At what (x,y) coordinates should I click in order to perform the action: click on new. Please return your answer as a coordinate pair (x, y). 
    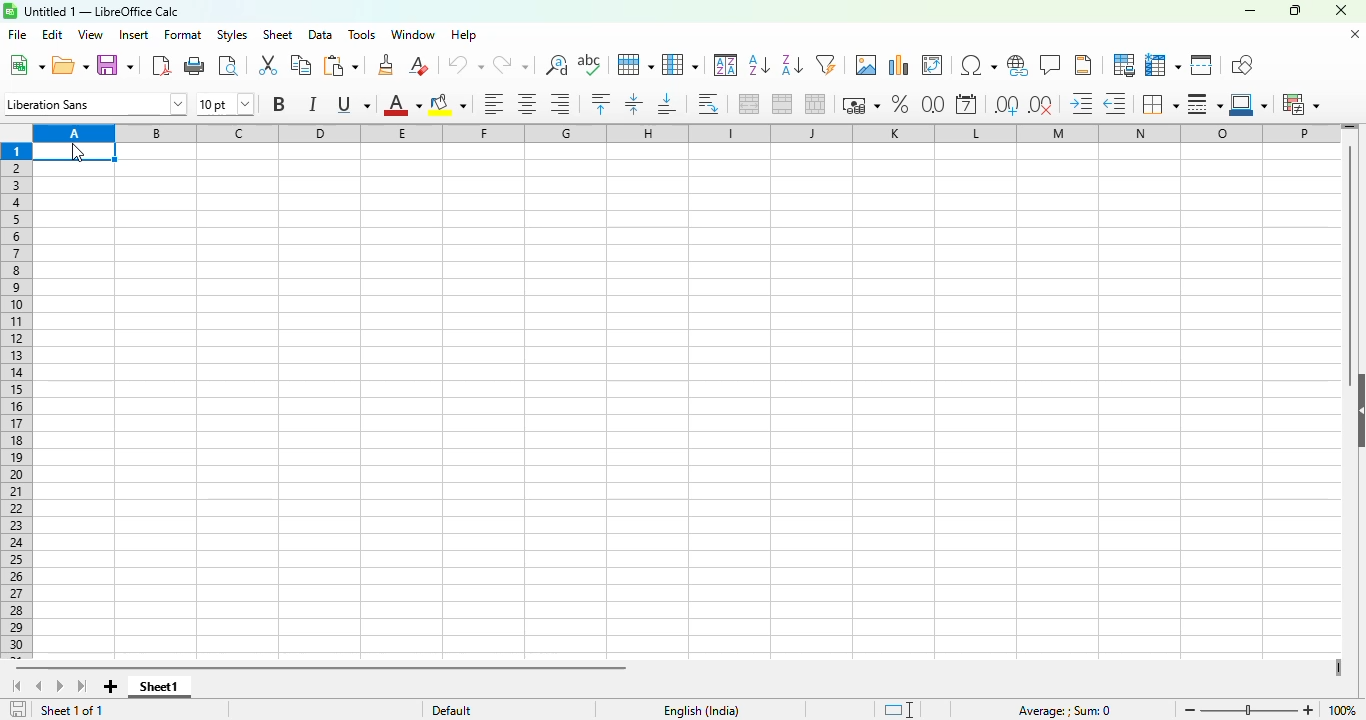
    Looking at the image, I should click on (26, 65).